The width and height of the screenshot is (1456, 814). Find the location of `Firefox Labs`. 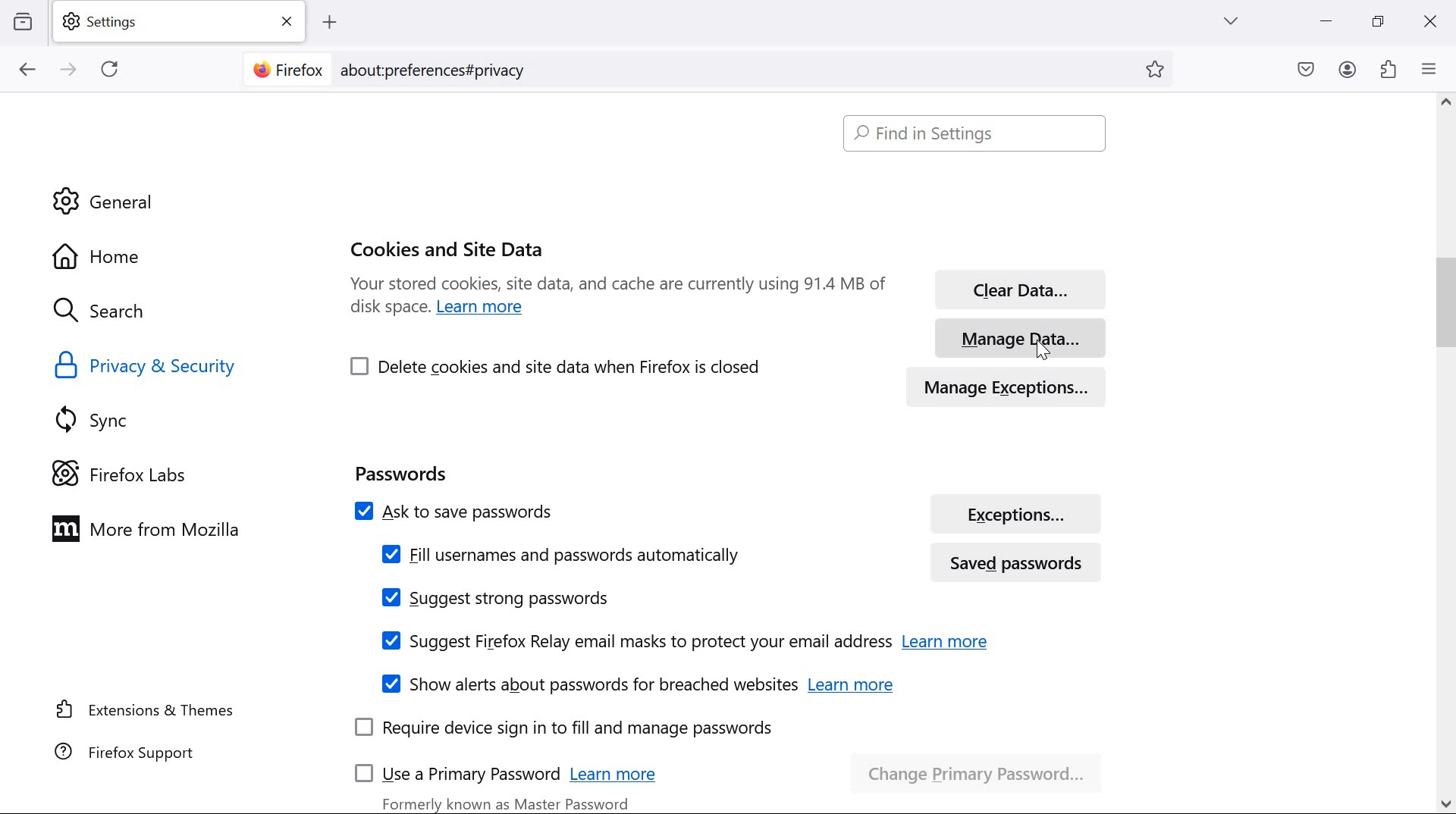

Firefox Labs is located at coordinates (132, 472).